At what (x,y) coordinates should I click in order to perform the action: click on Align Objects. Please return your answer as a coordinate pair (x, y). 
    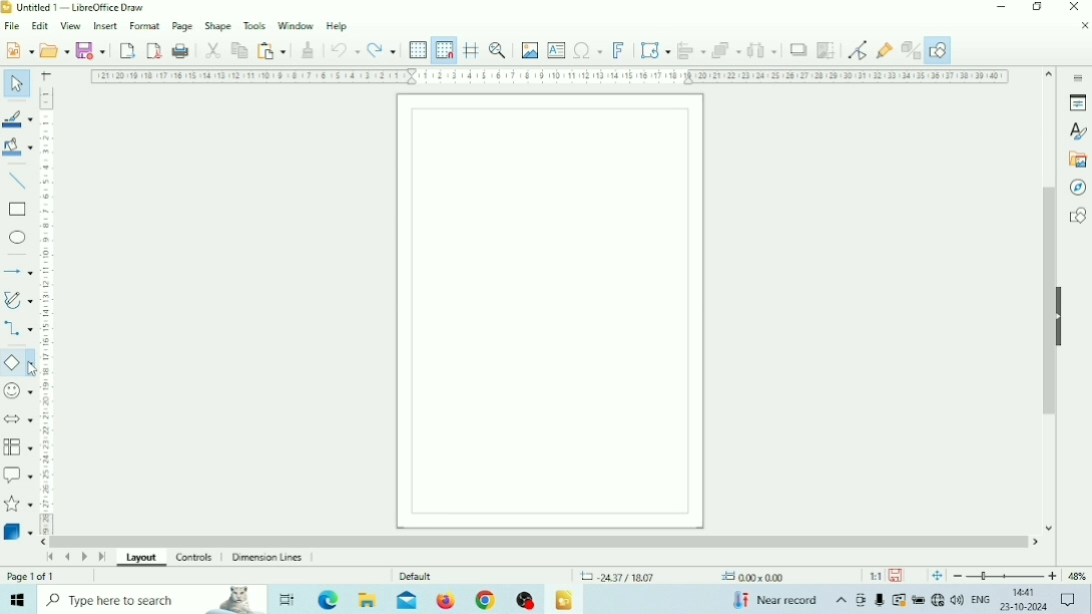
    Looking at the image, I should click on (691, 50).